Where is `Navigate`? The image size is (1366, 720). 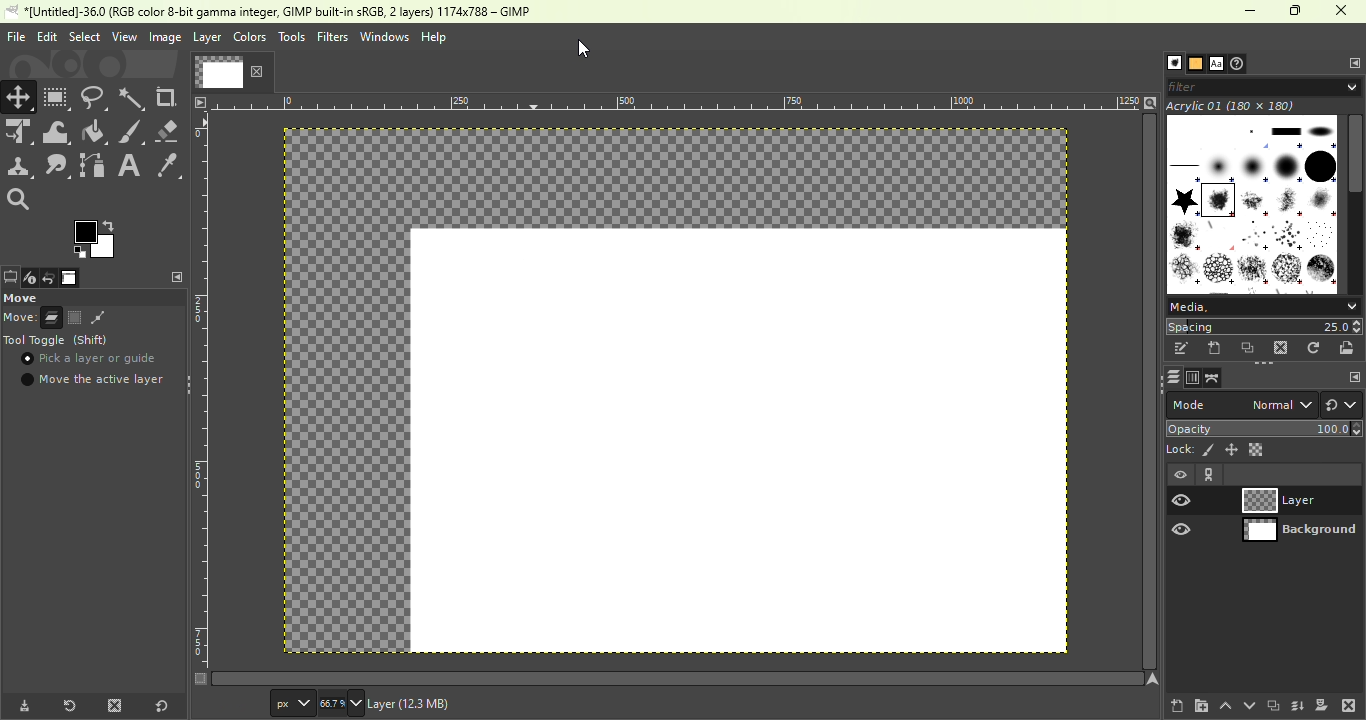 Navigate is located at coordinates (1153, 679).